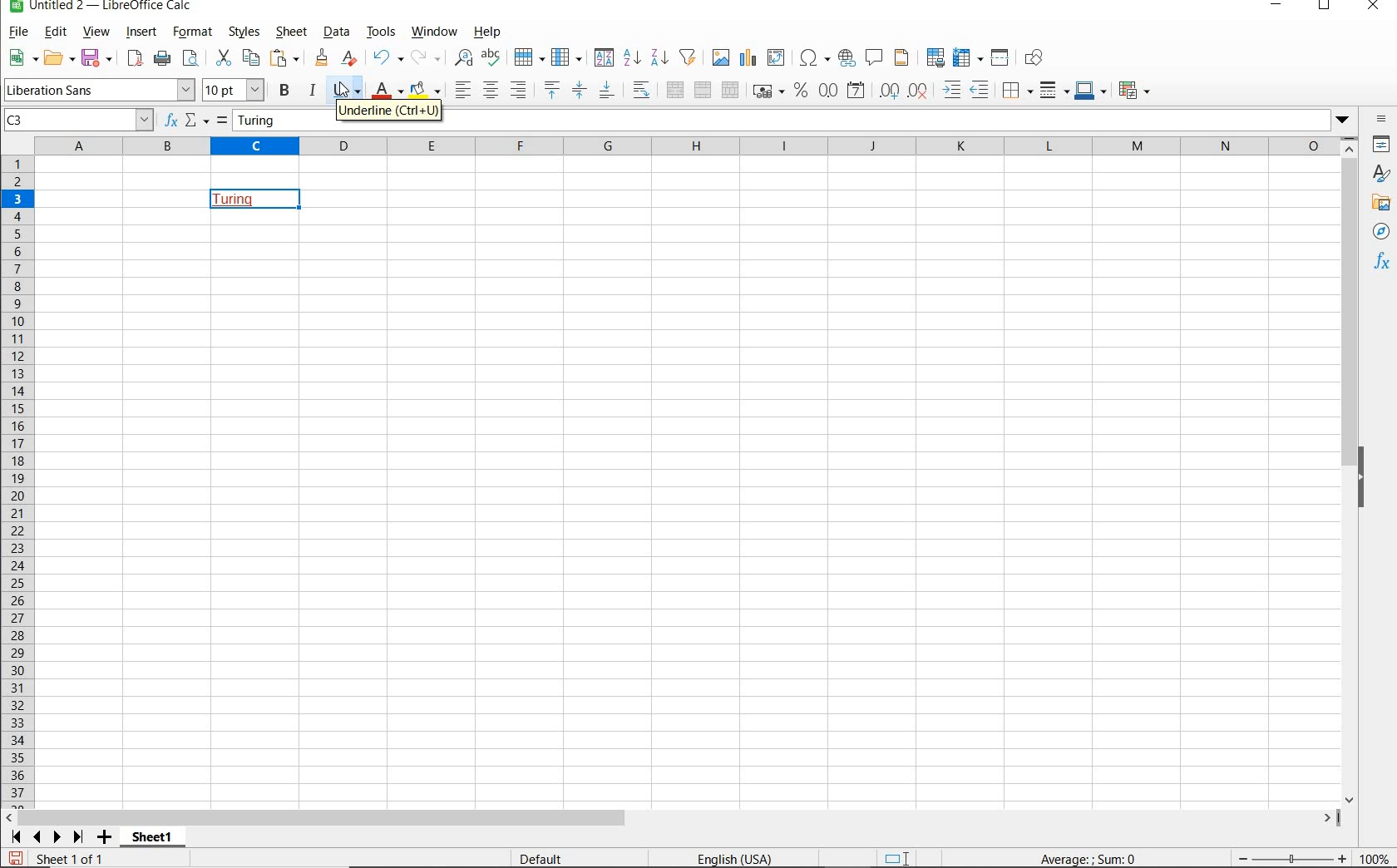 The height and width of the screenshot is (868, 1397). I want to click on FREEZE ROWS AND COLUMNS, so click(967, 60).